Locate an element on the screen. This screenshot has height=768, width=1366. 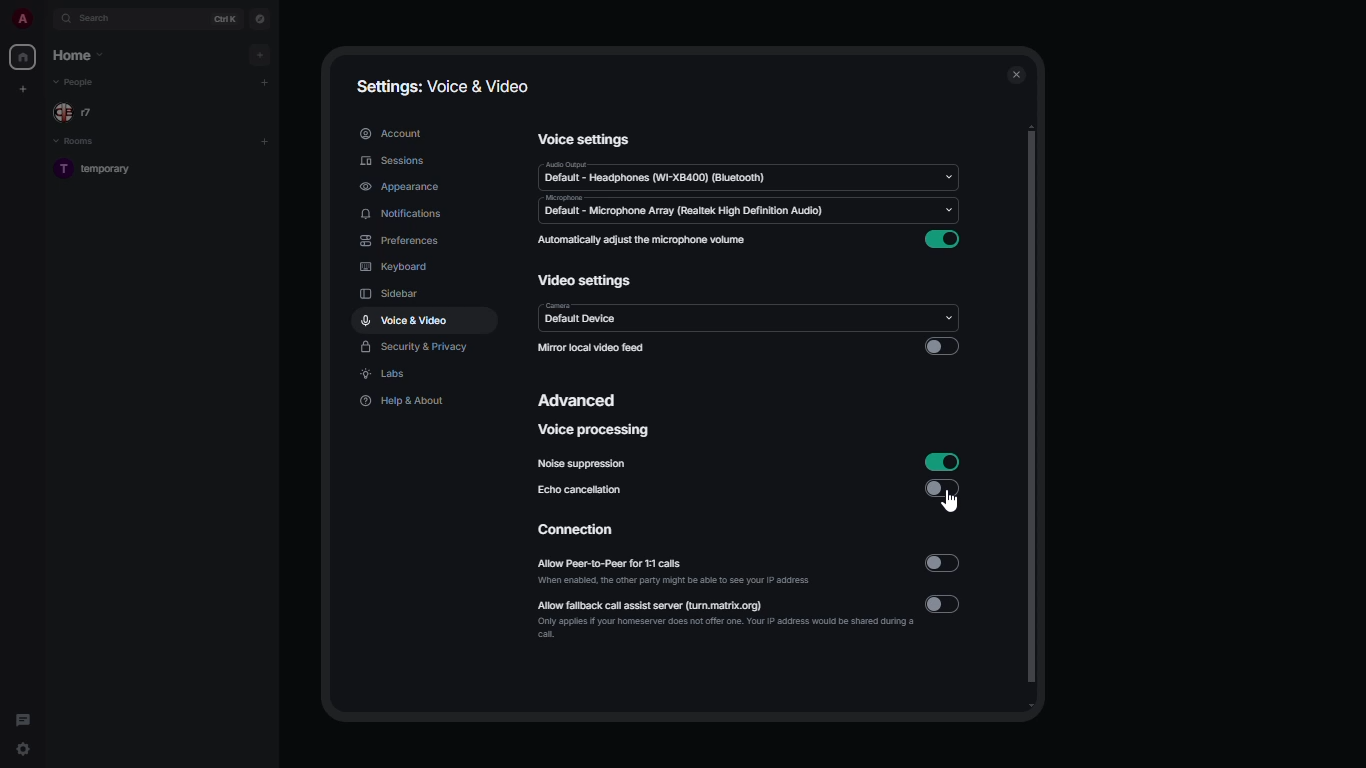
settings: voice & video is located at coordinates (446, 87).